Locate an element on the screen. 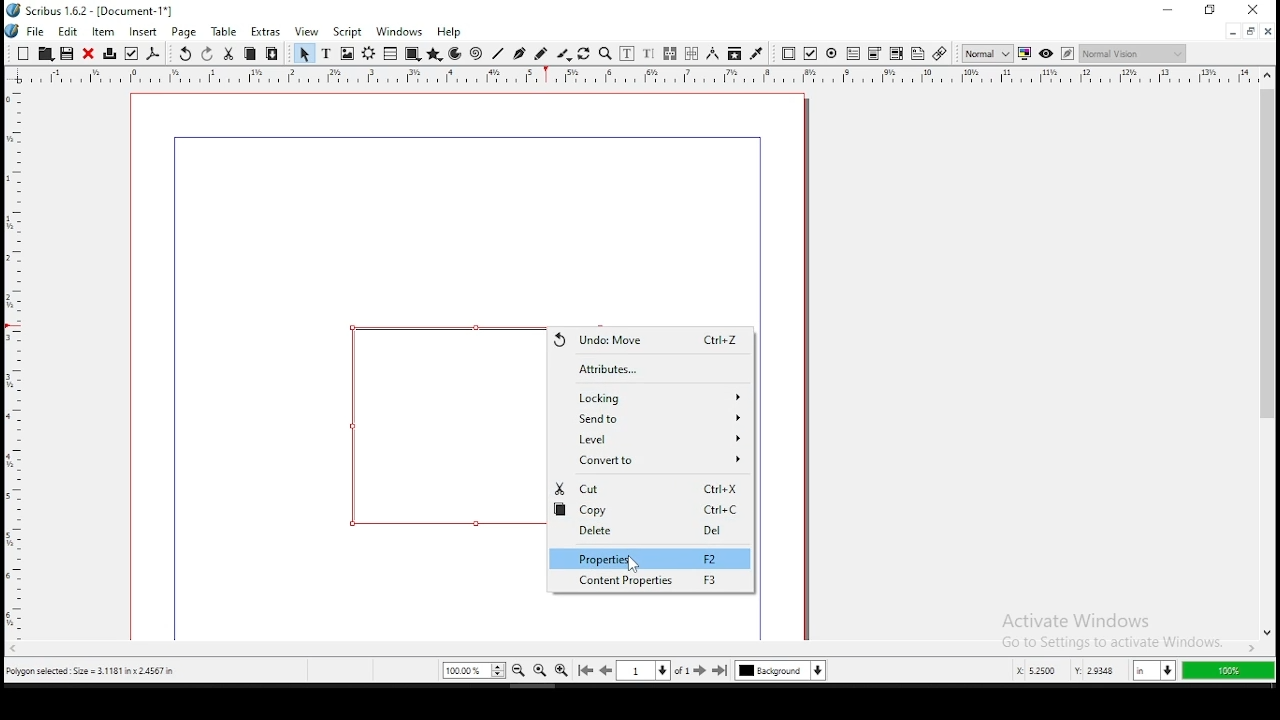  freehand line is located at coordinates (541, 53).